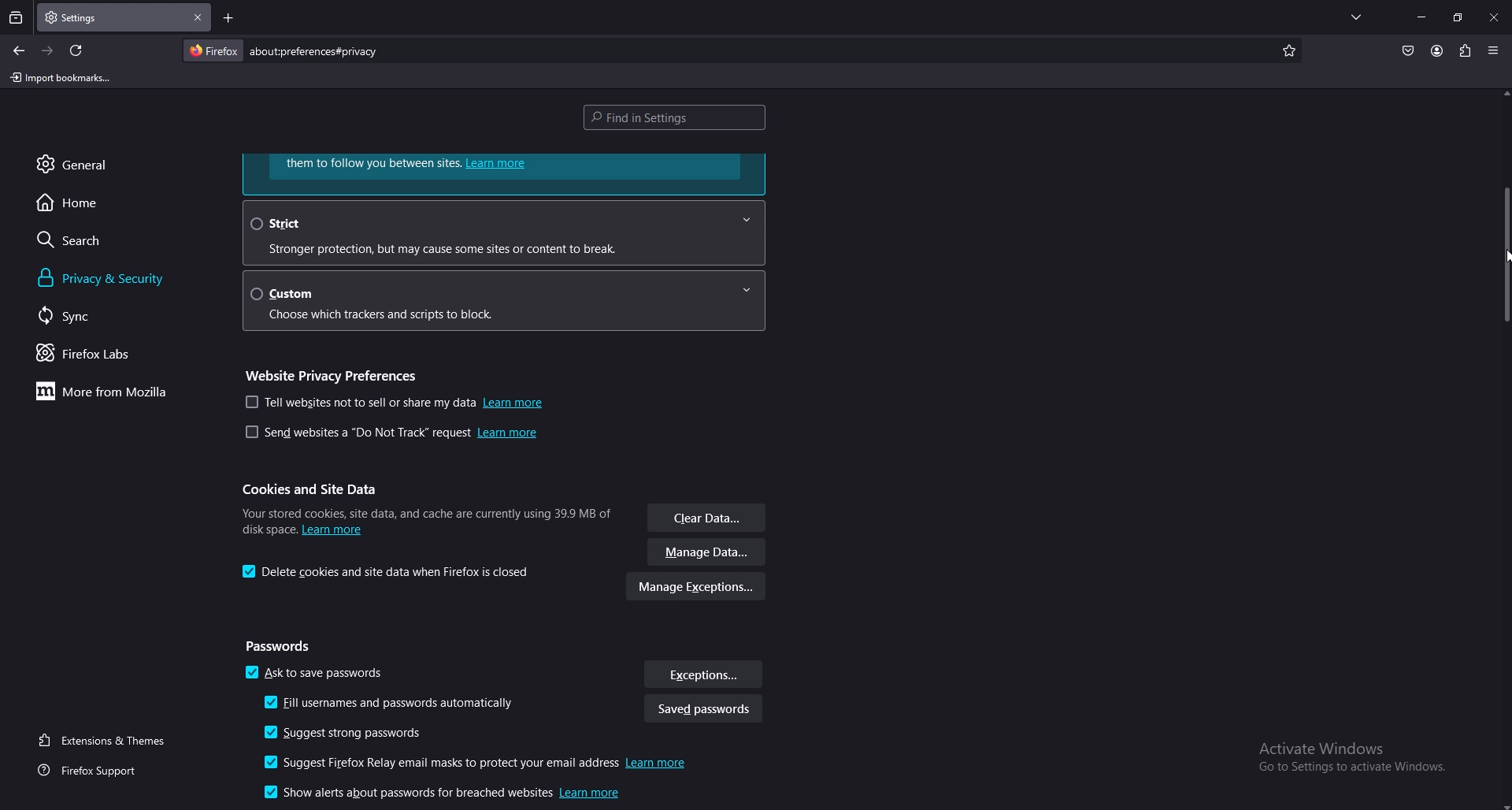 The image size is (1512, 810). I want to click on home, so click(91, 203).